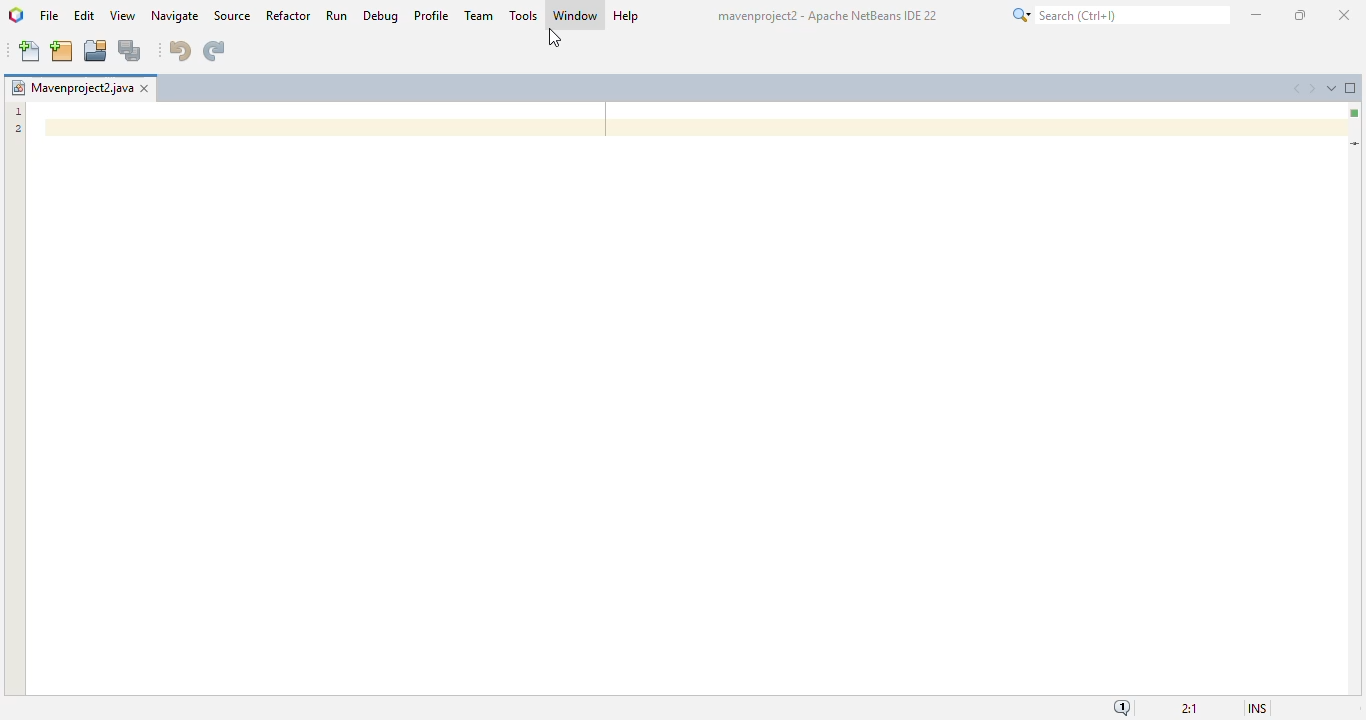 The height and width of the screenshot is (720, 1366). I want to click on maximize window, so click(1351, 89).